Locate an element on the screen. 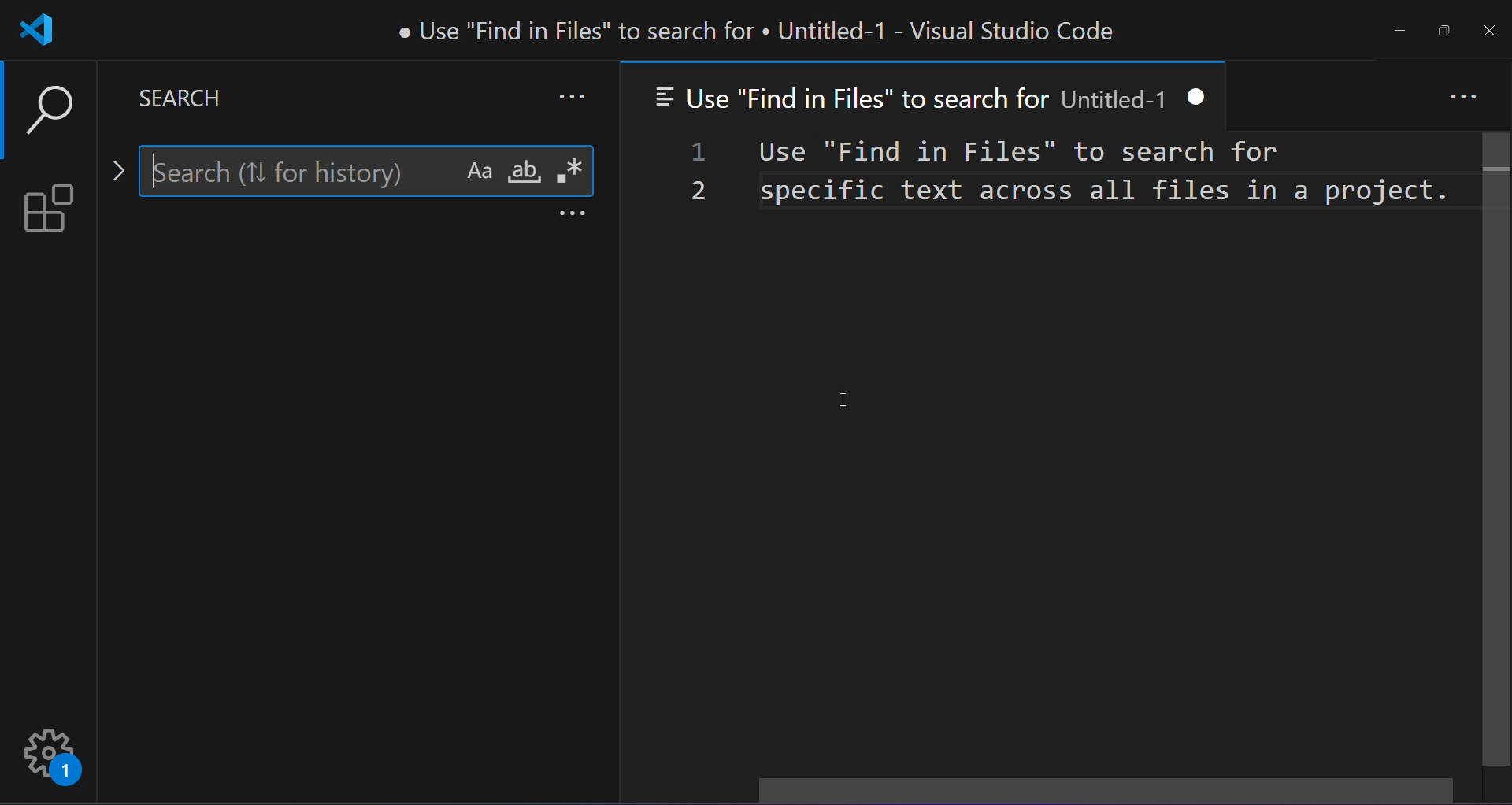 The width and height of the screenshot is (1512, 805). more search option is located at coordinates (570, 98).